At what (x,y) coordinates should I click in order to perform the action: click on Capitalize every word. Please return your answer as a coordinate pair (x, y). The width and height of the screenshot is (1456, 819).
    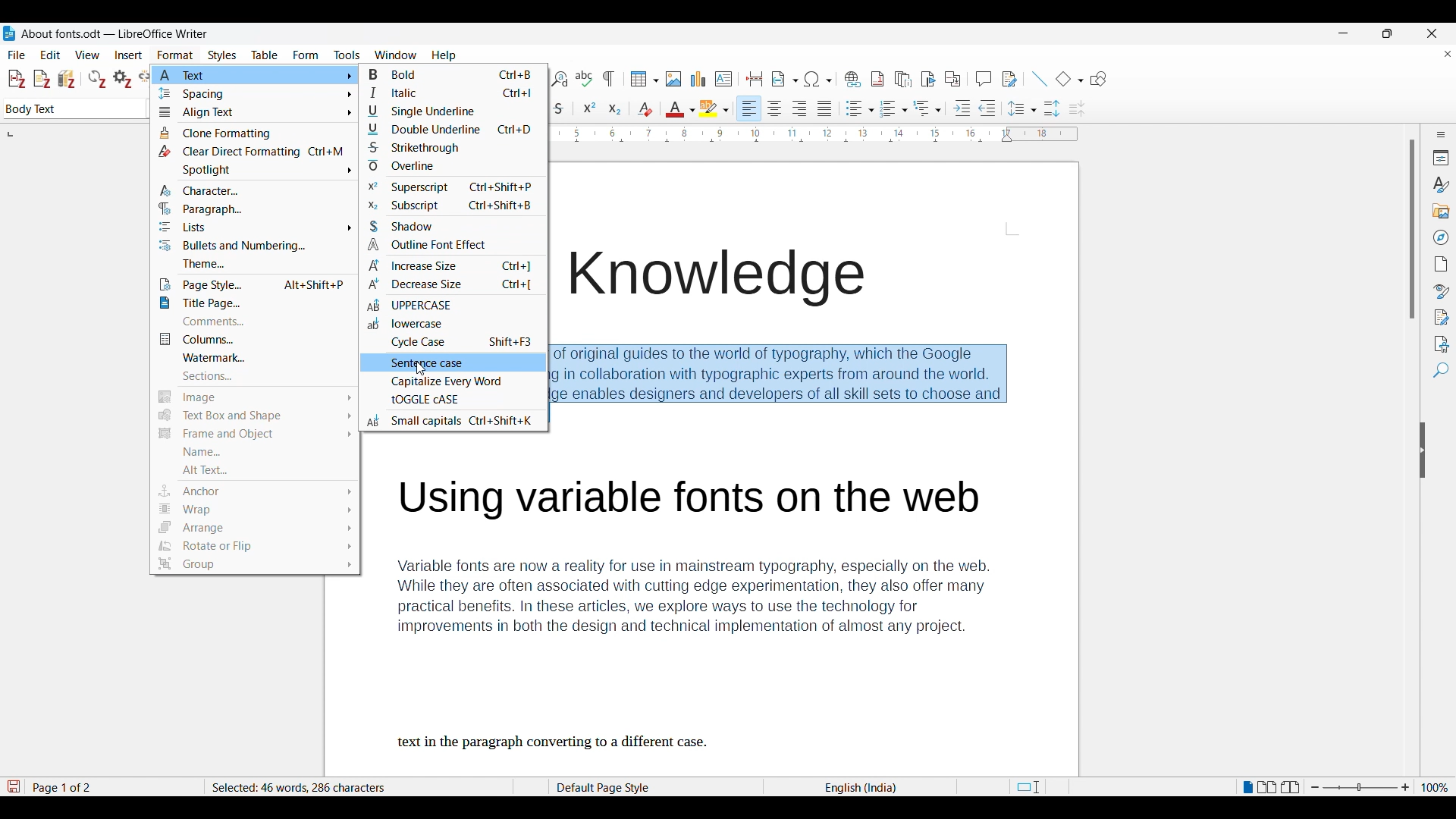
    Looking at the image, I should click on (453, 383).